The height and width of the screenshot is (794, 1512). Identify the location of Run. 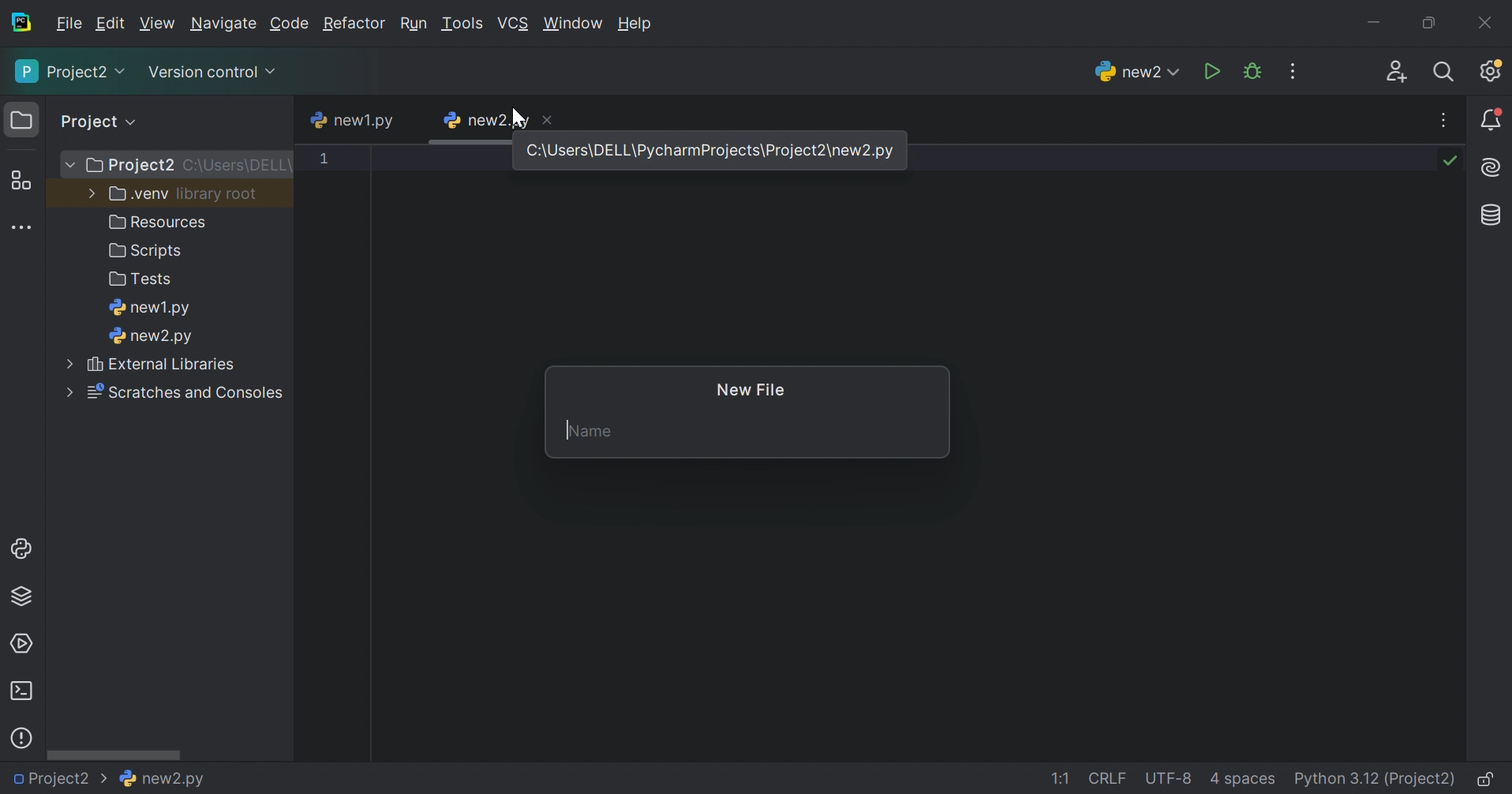
(413, 24).